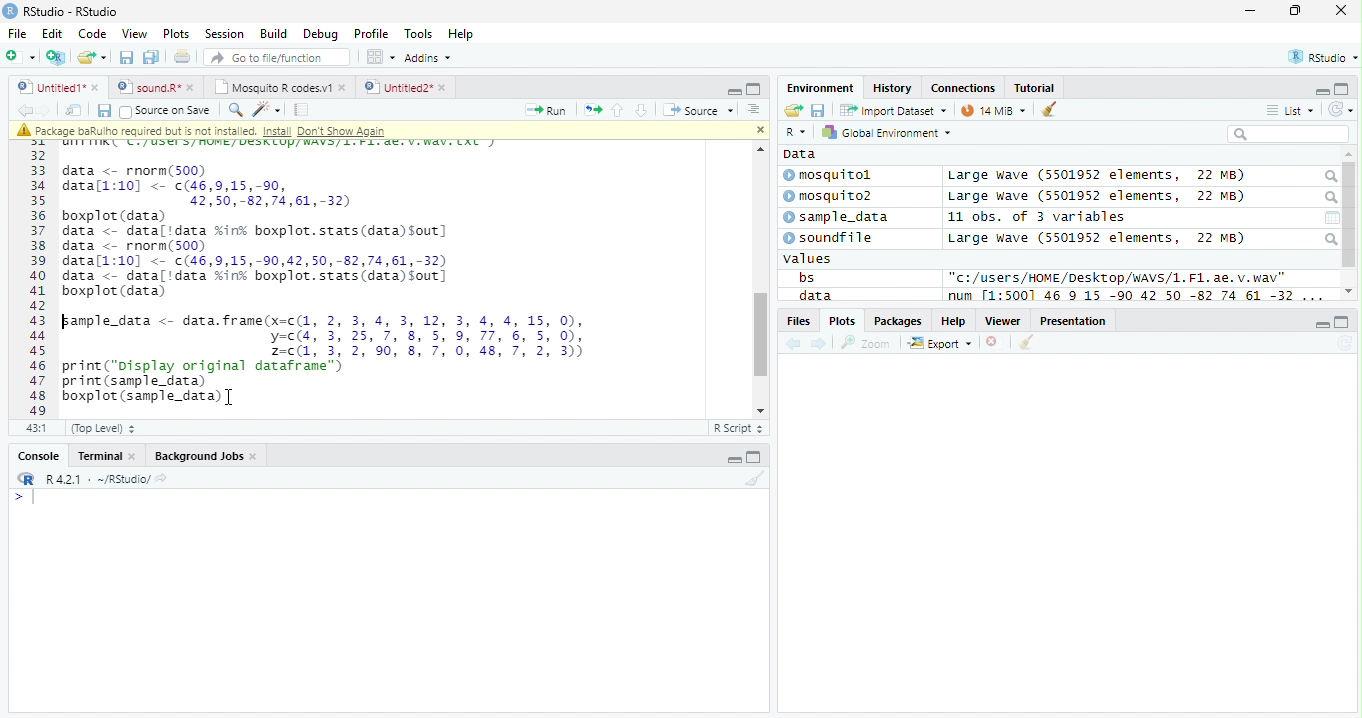  Describe the element at coordinates (884, 131) in the screenshot. I see `Global Environment` at that location.